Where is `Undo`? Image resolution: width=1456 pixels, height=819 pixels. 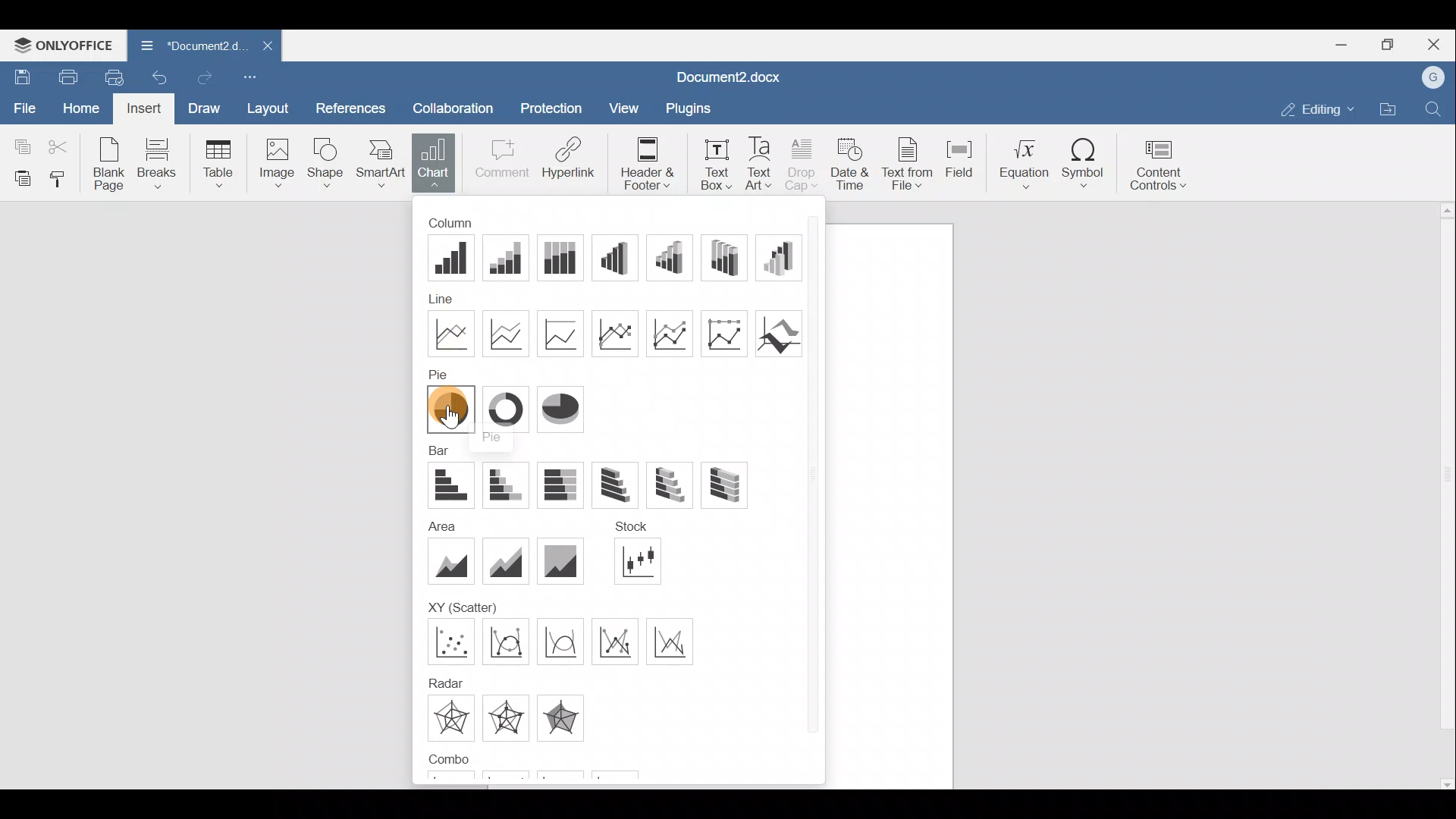 Undo is located at coordinates (162, 78).